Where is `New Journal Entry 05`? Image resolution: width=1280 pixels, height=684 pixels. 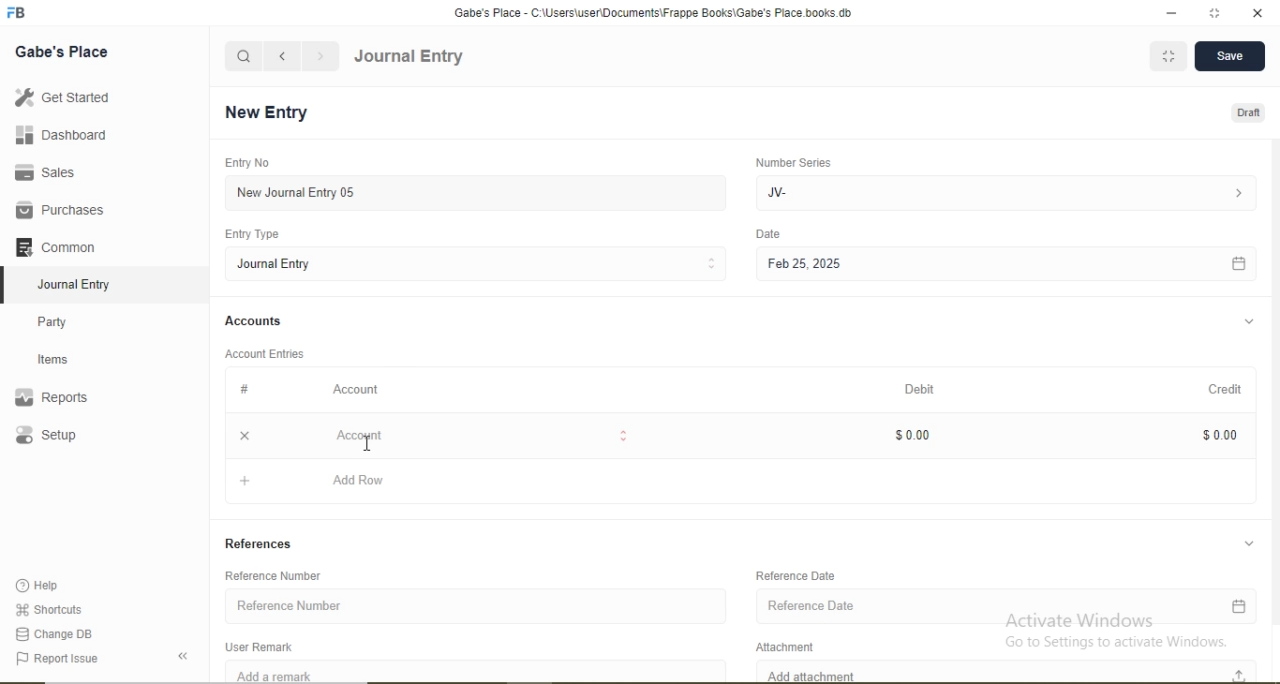 New Journal Entry 05 is located at coordinates (478, 192).